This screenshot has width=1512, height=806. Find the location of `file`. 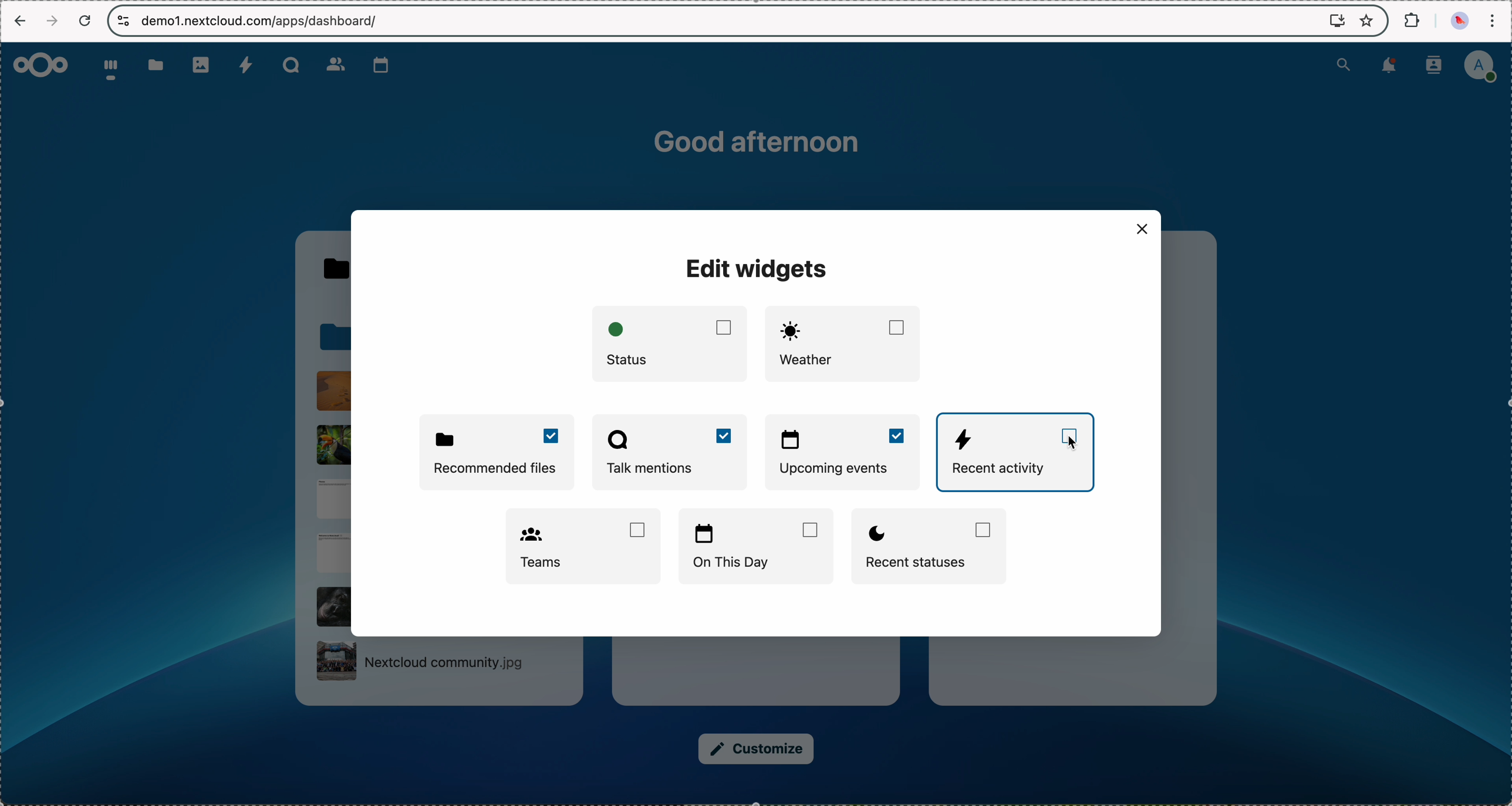

file is located at coordinates (330, 444).